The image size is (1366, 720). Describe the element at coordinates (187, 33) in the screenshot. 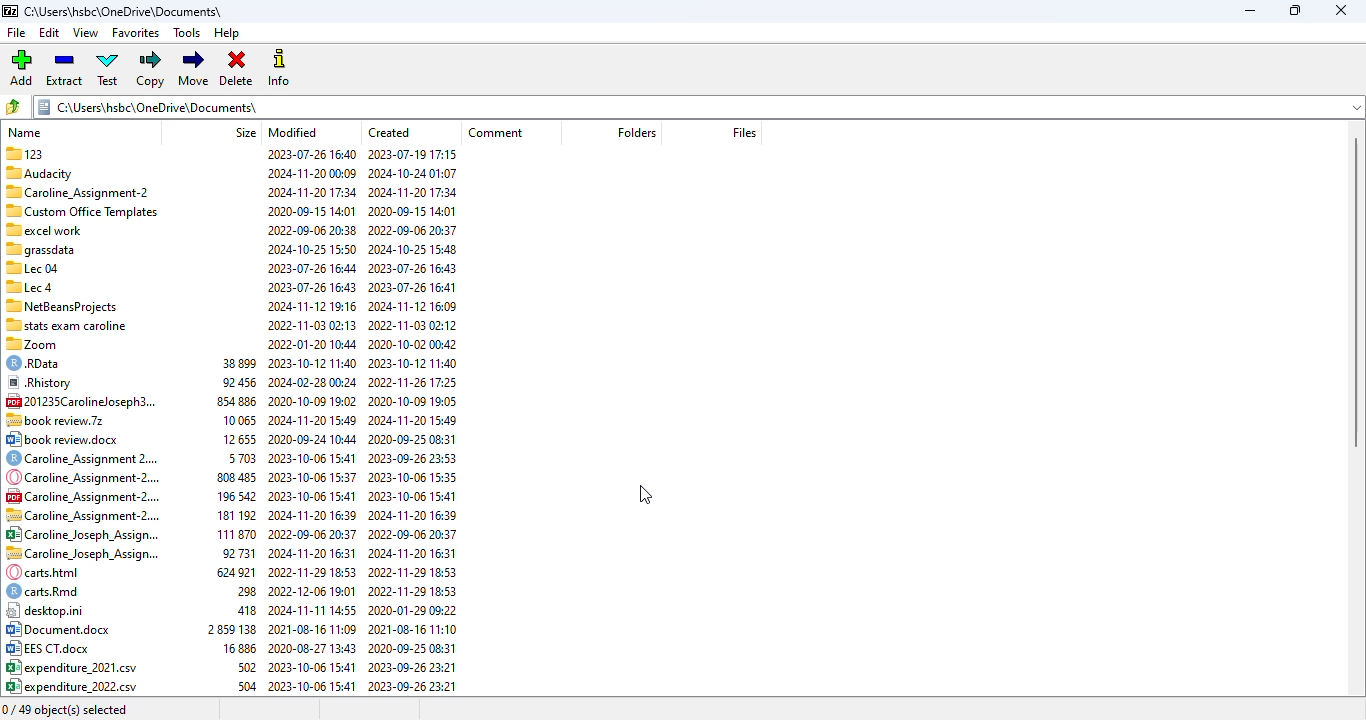

I see `tools` at that location.